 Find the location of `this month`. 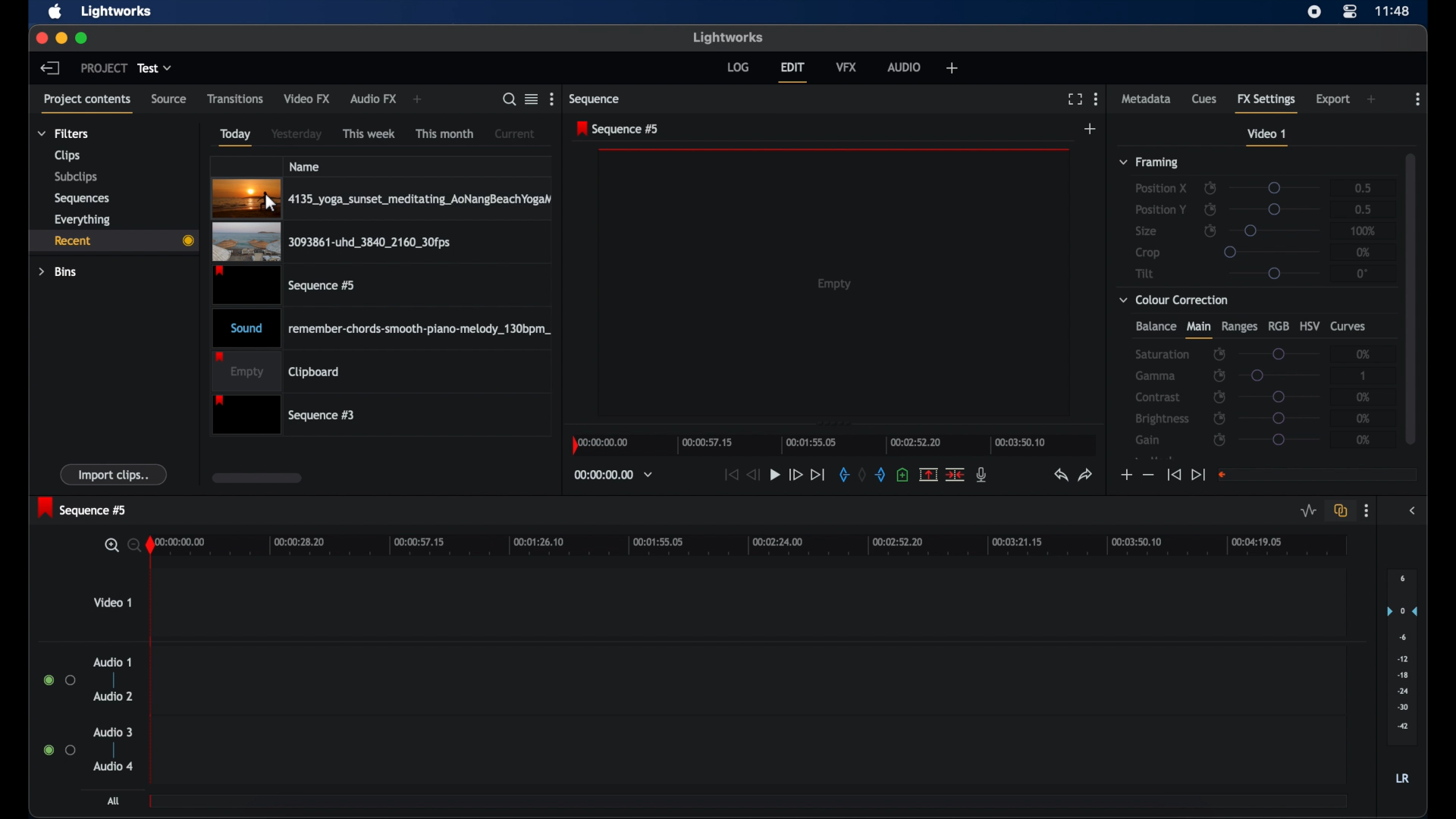

this month is located at coordinates (444, 133).